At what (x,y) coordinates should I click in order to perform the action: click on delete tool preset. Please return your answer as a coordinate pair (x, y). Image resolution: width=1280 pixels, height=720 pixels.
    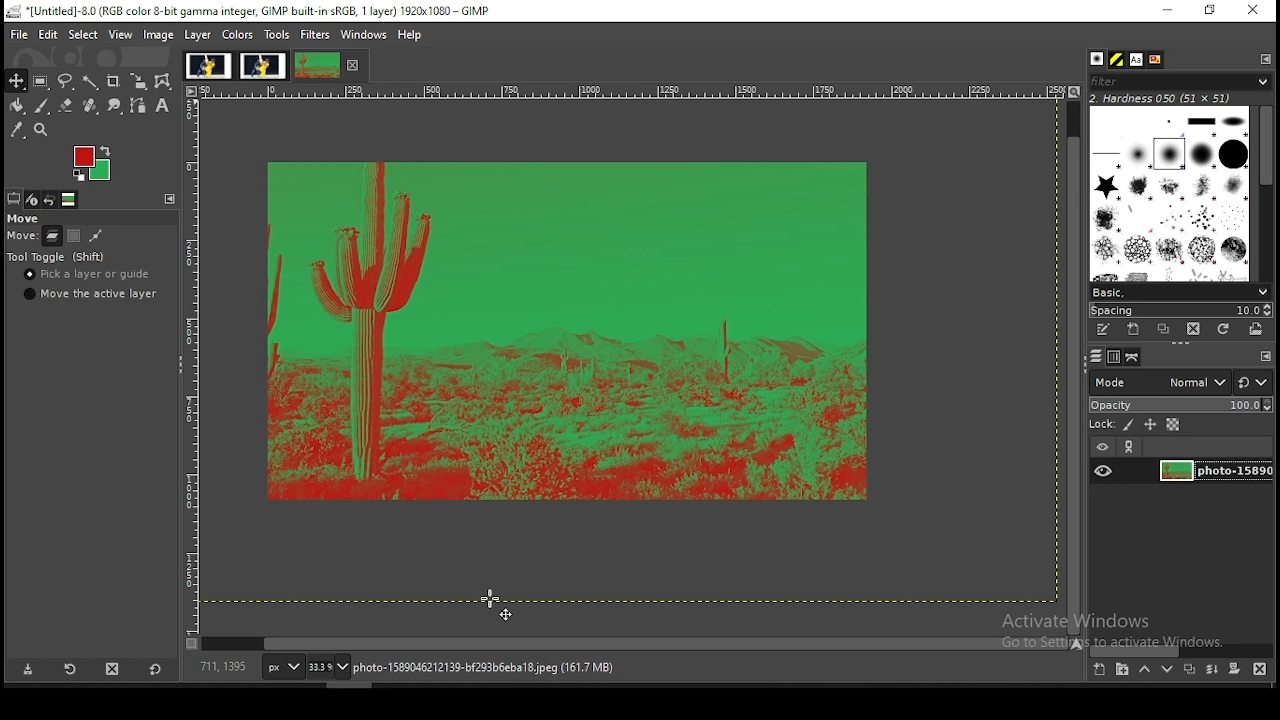
    Looking at the image, I should click on (112, 669).